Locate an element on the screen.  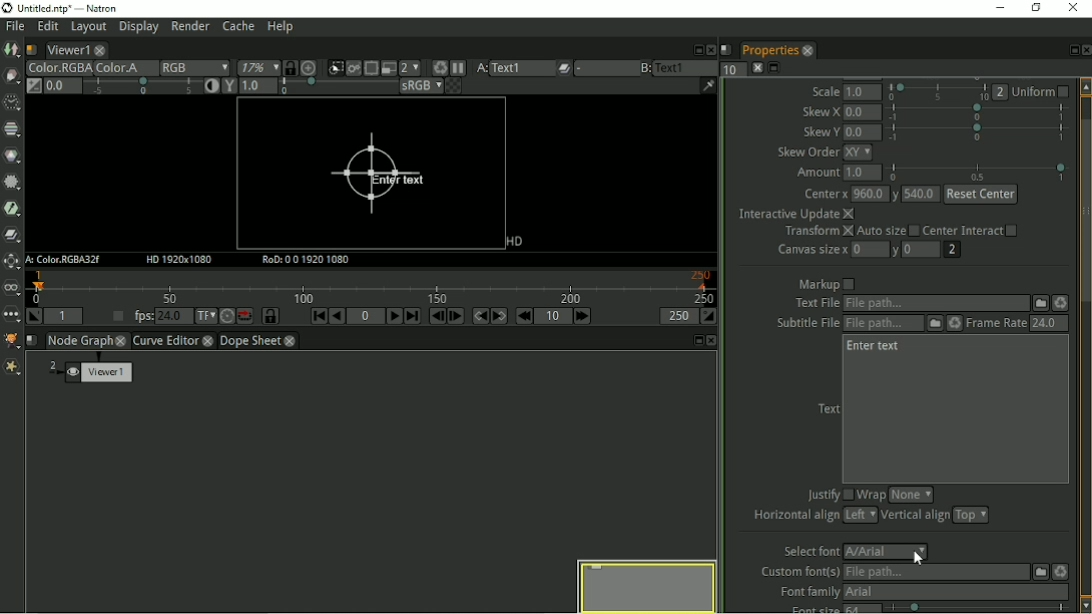
Scale image is located at coordinates (312, 68).